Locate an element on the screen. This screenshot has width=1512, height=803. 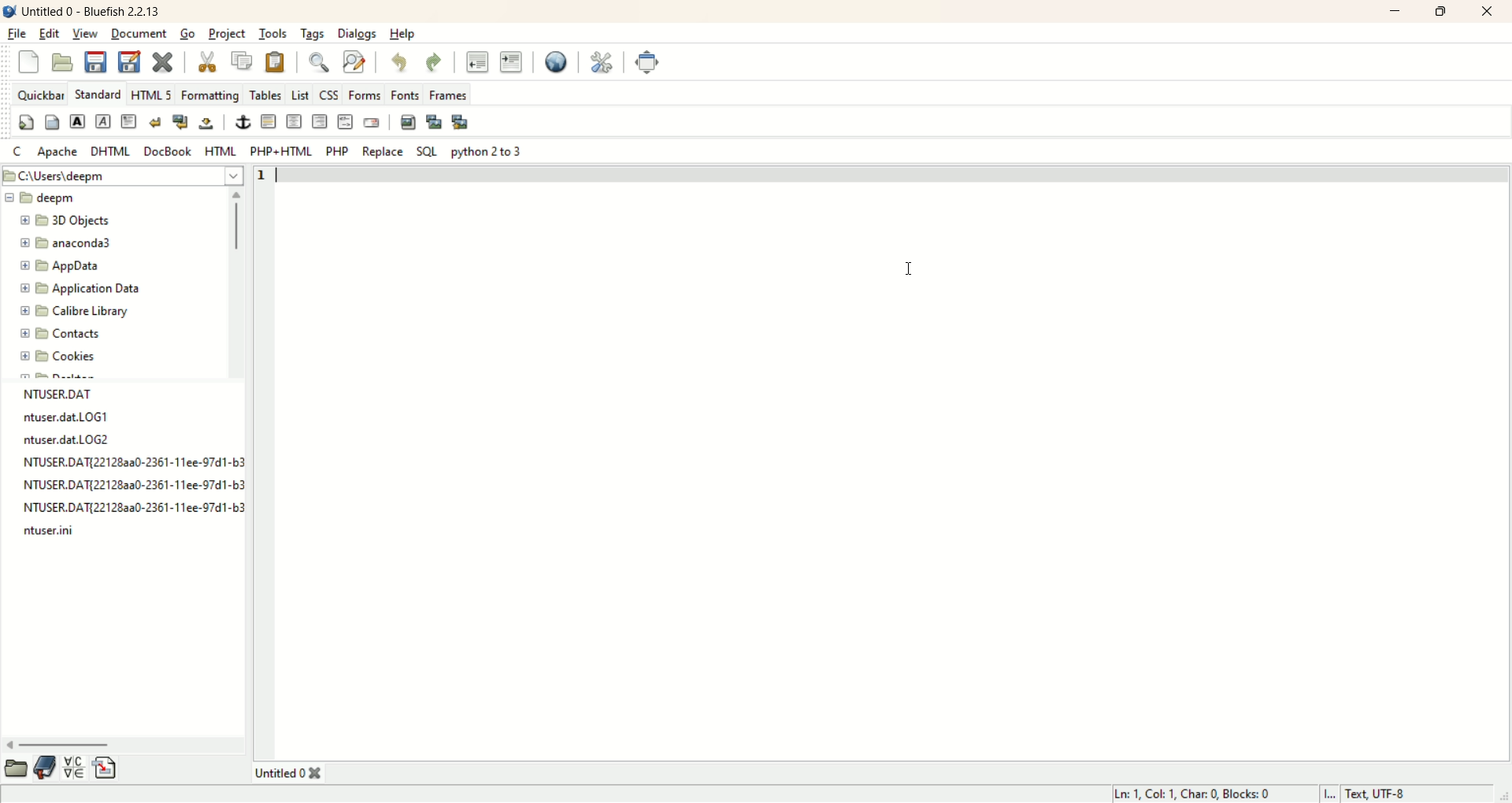
tables is located at coordinates (265, 97).